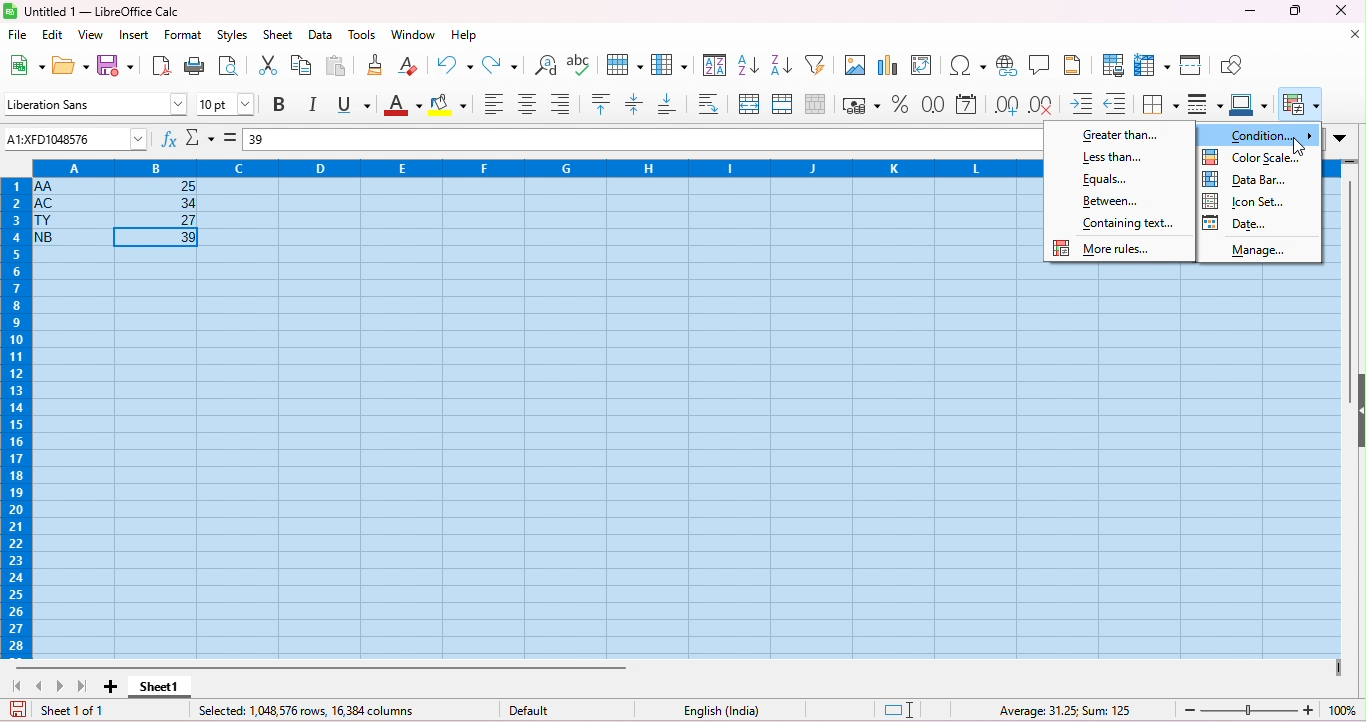 Image resolution: width=1366 pixels, height=722 pixels. I want to click on sort descending, so click(781, 63).